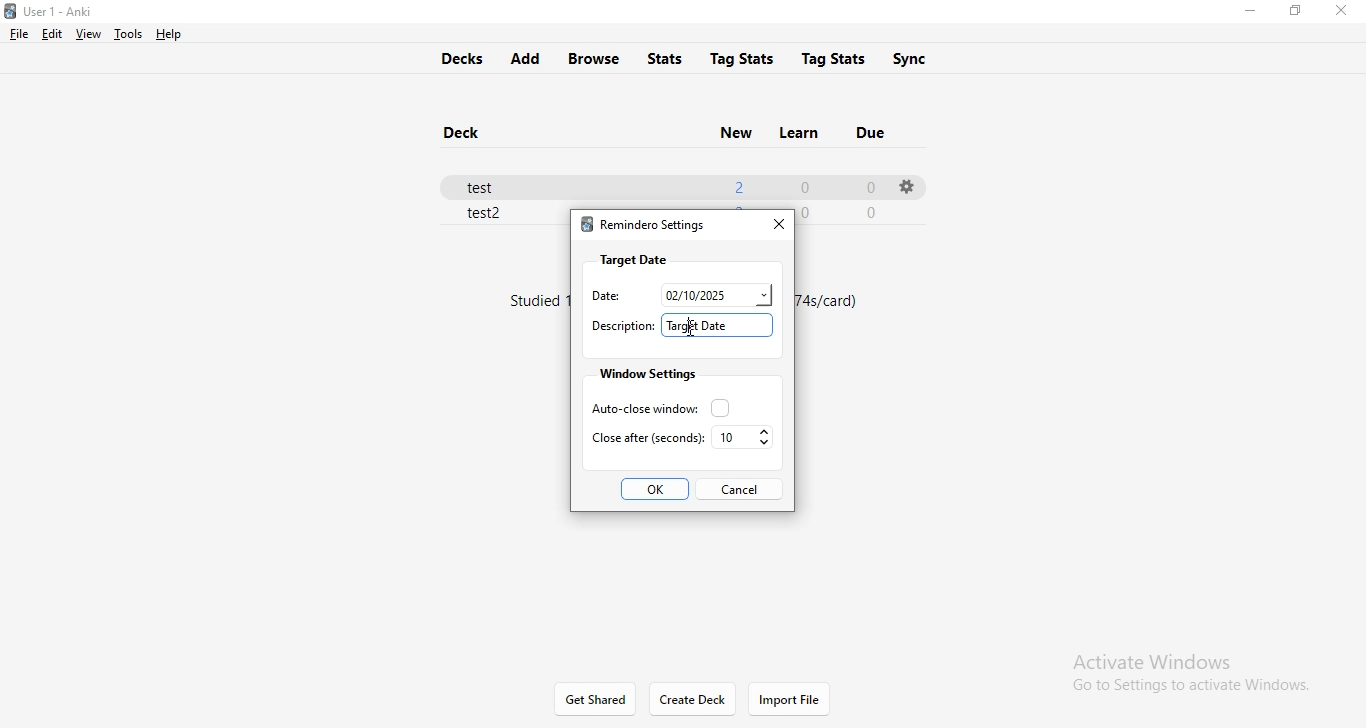 This screenshot has height=728, width=1366. What do you see at coordinates (804, 185) in the screenshot?
I see `0` at bounding box center [804, 185].